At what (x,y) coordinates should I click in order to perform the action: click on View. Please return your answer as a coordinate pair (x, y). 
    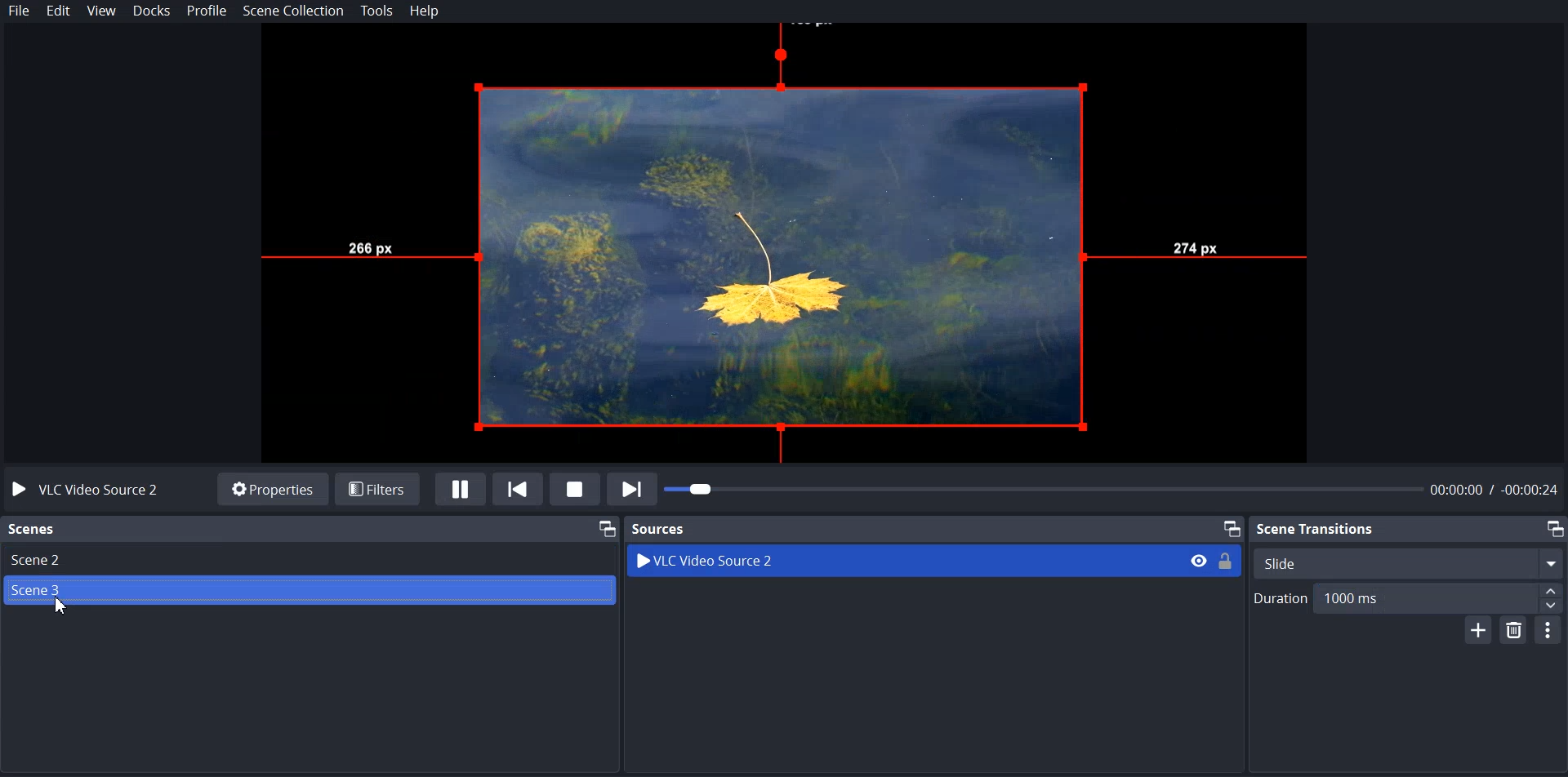
    Looking at the image, I should click on (100, 11).